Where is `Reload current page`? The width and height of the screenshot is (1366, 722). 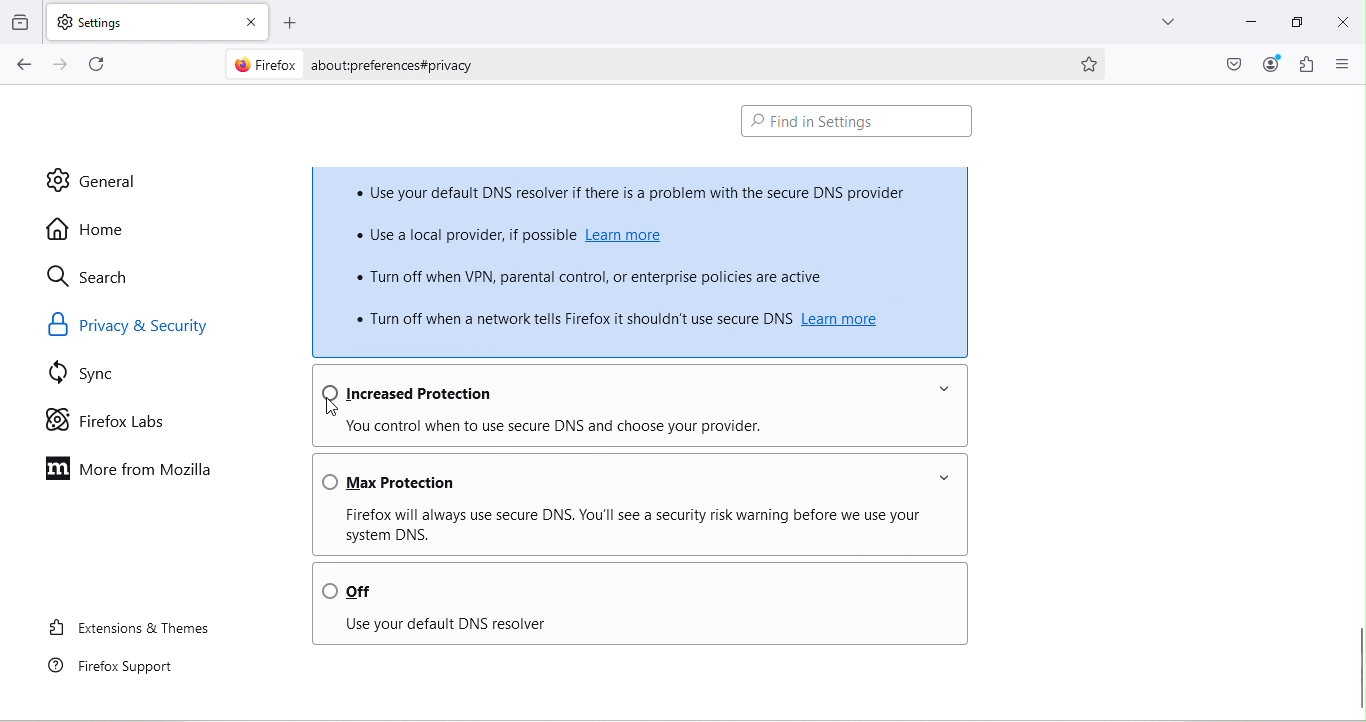
Reload current page is located at coordinates (99, 64).